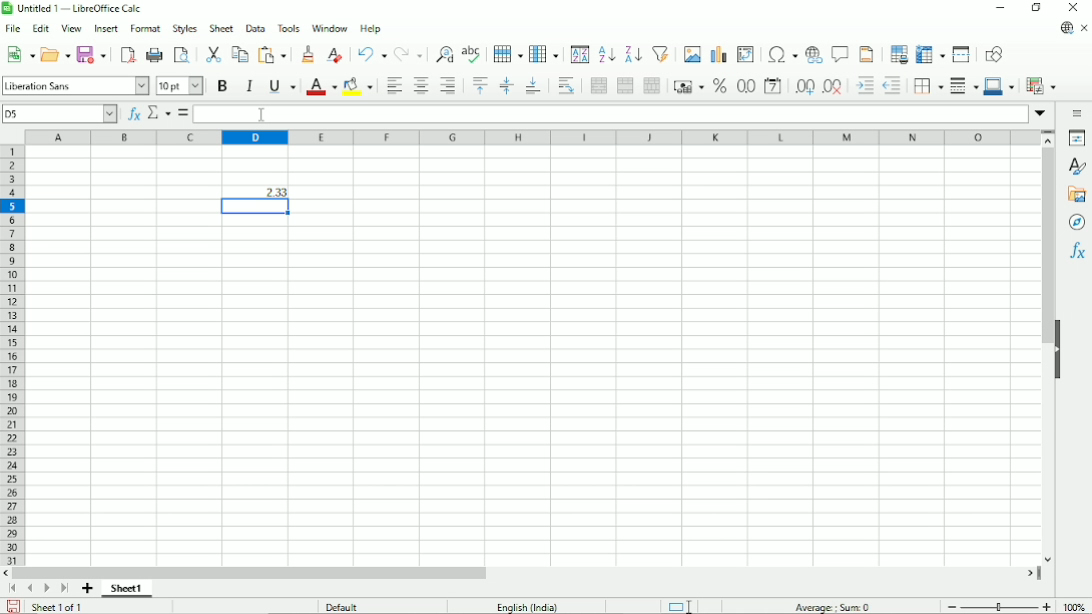  I want to click on Format as percent, so click(721, 86).